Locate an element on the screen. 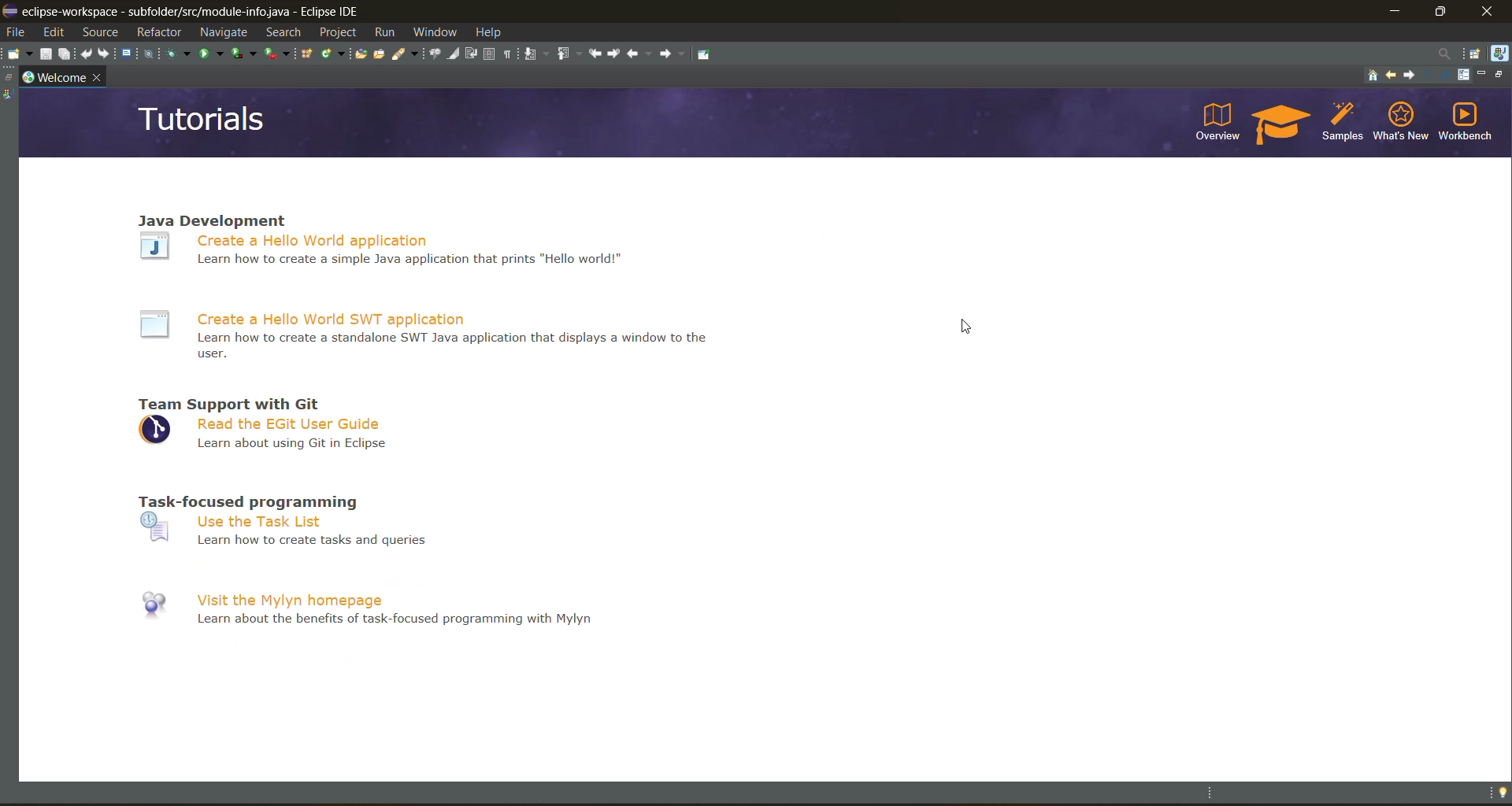 This screenshot has height=806, width=1512. workbench is located at coordinates (1464, 121).